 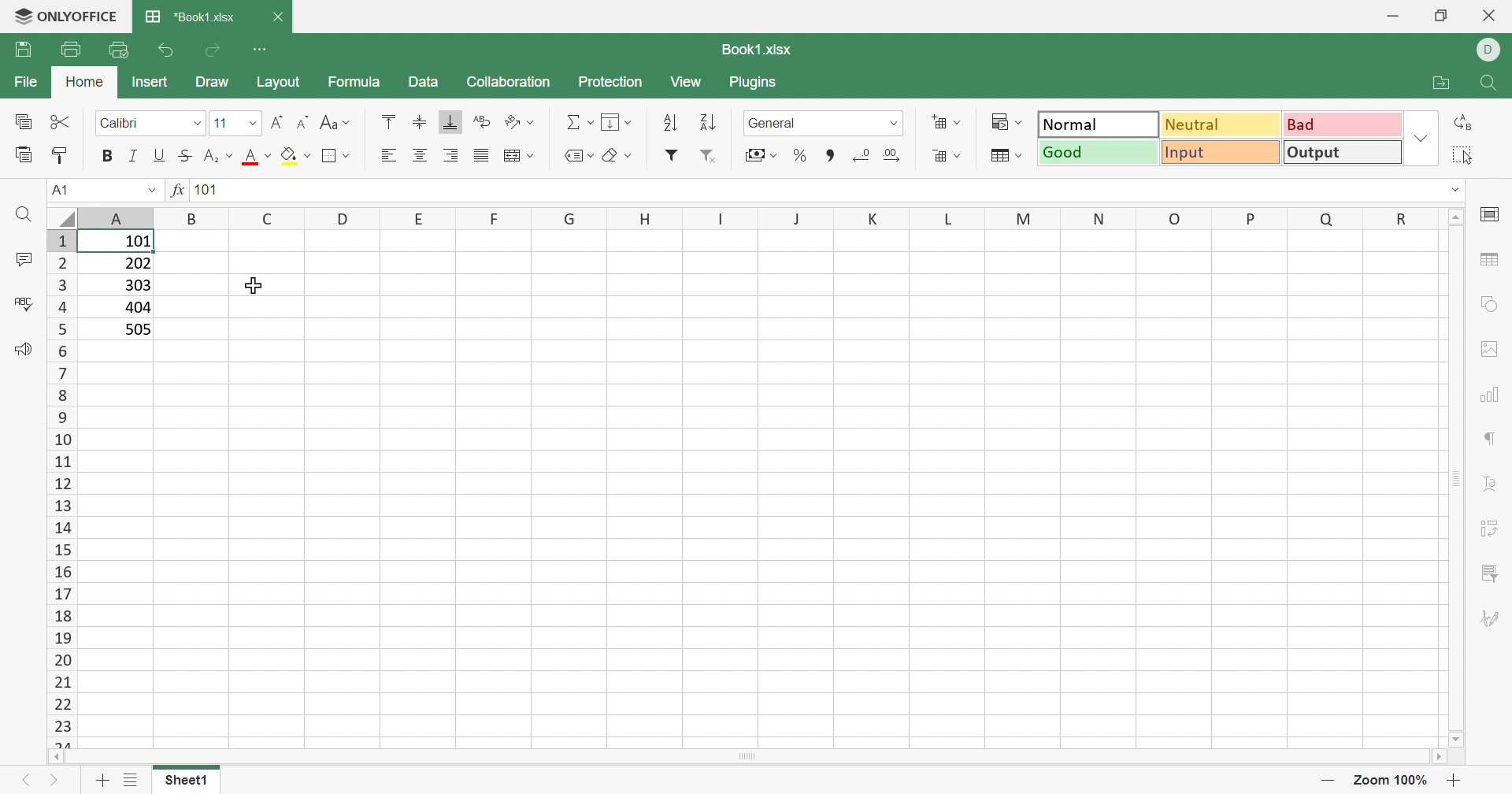 What do you see at coordinates (691, 82) in the screenshot?
I see `View` at bounding box center [691, 82].